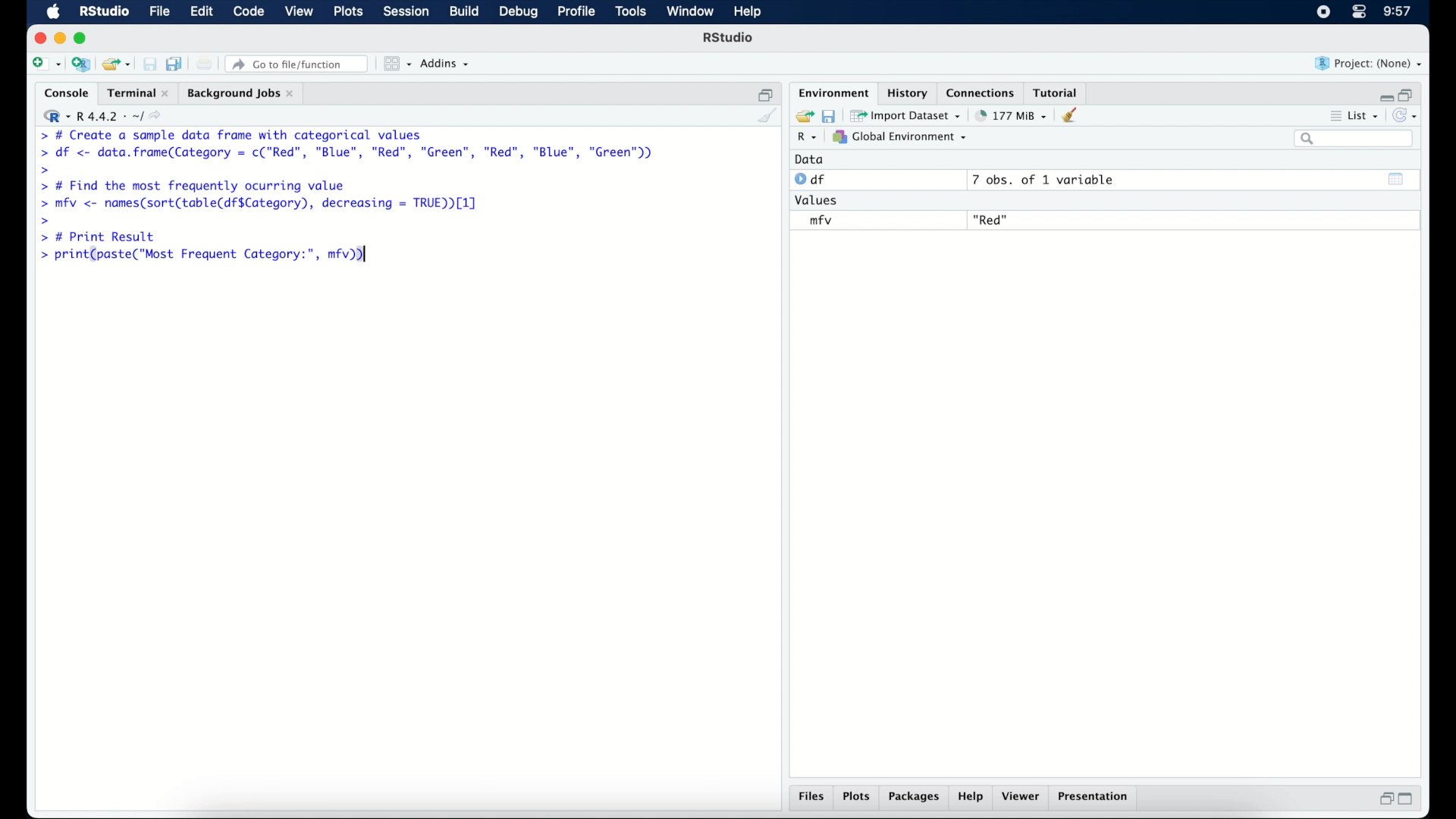  Describe the element at coordinates (1407, 115) in the screenshot. I see `refresh` at that location.